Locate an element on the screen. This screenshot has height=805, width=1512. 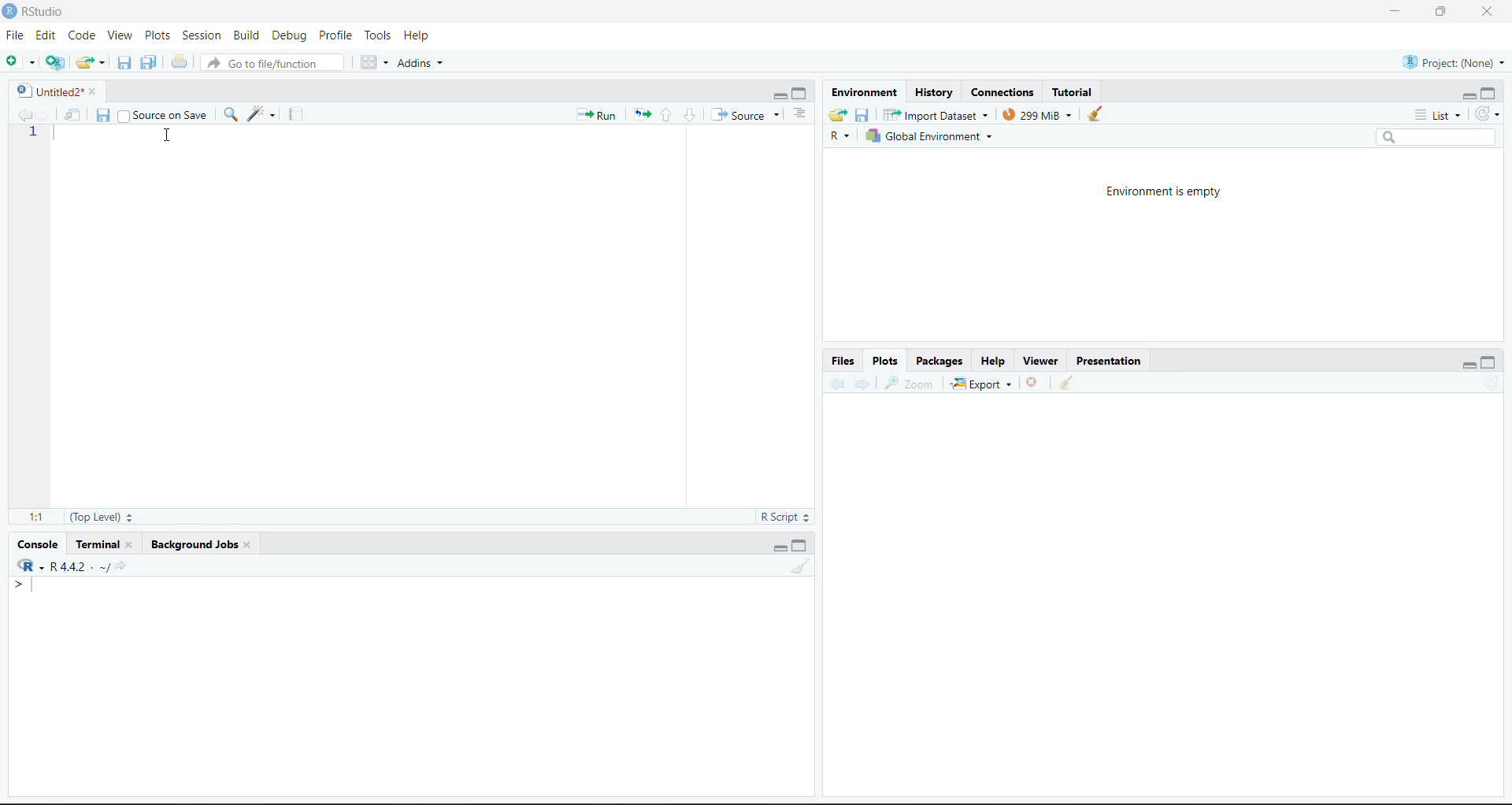
maximize is located at coordinates (1488, 95).